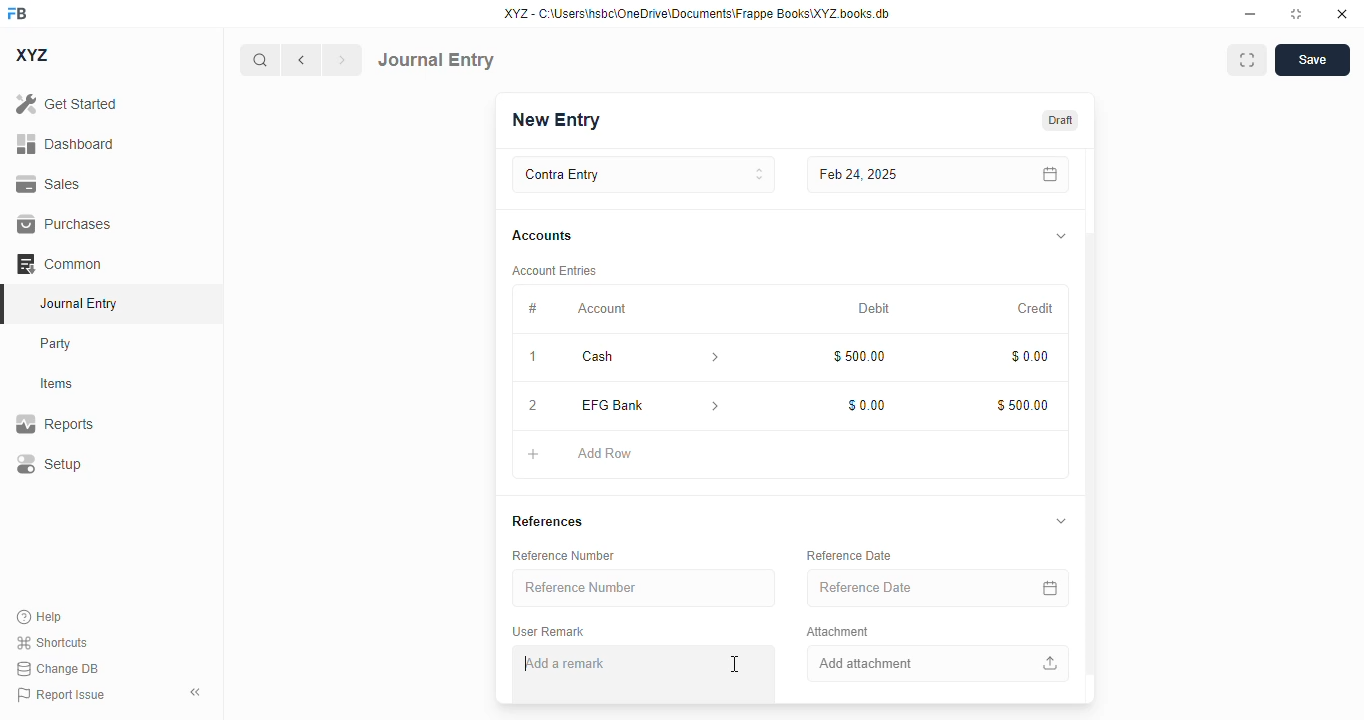  What do you see at coordinates (49, 463) in the screenshot?
I see `setup` at bounding box center [49, 463].